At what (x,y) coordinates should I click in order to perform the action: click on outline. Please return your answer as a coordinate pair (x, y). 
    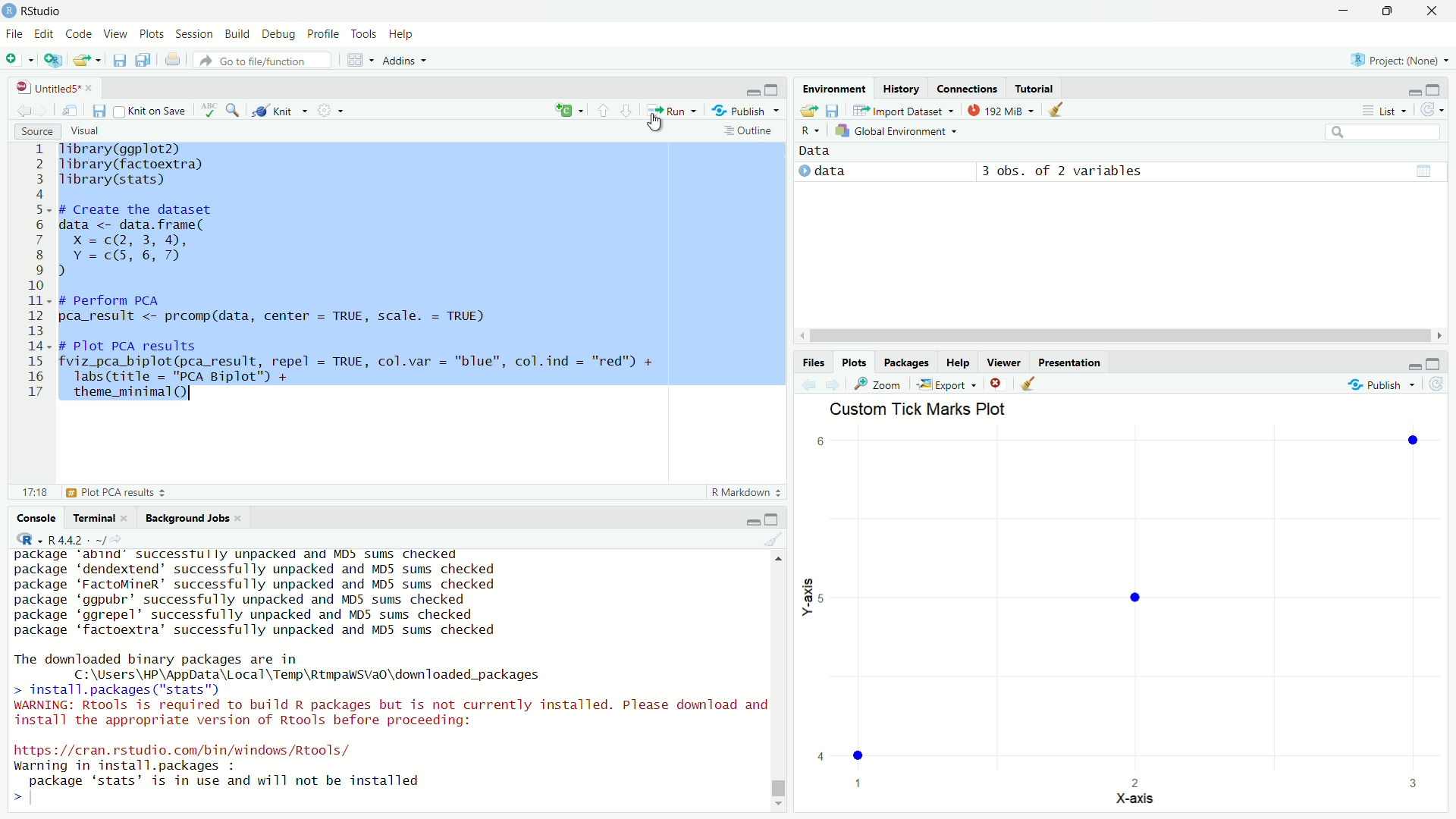
    Looking at the image, I should click on (748, 132).